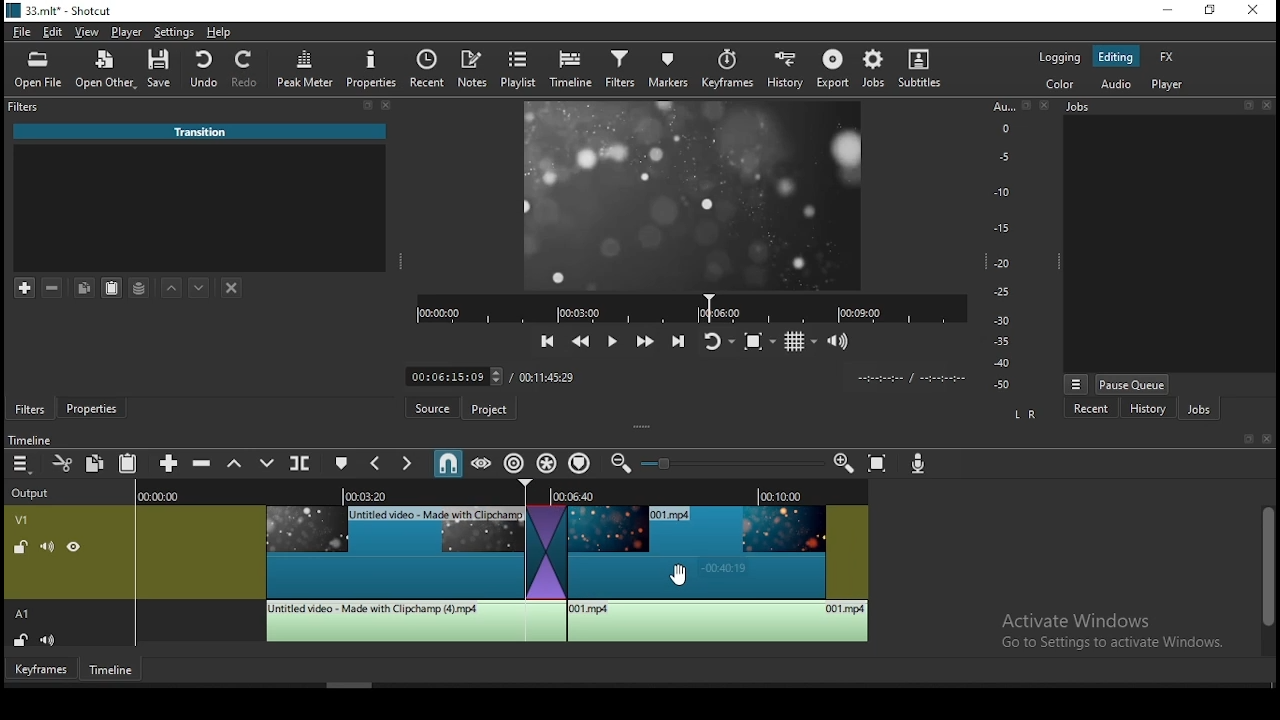  What do you see at coordinates (1167, 107) in the screenshot?
I see `jobs` at bounding box center [1167, 107].